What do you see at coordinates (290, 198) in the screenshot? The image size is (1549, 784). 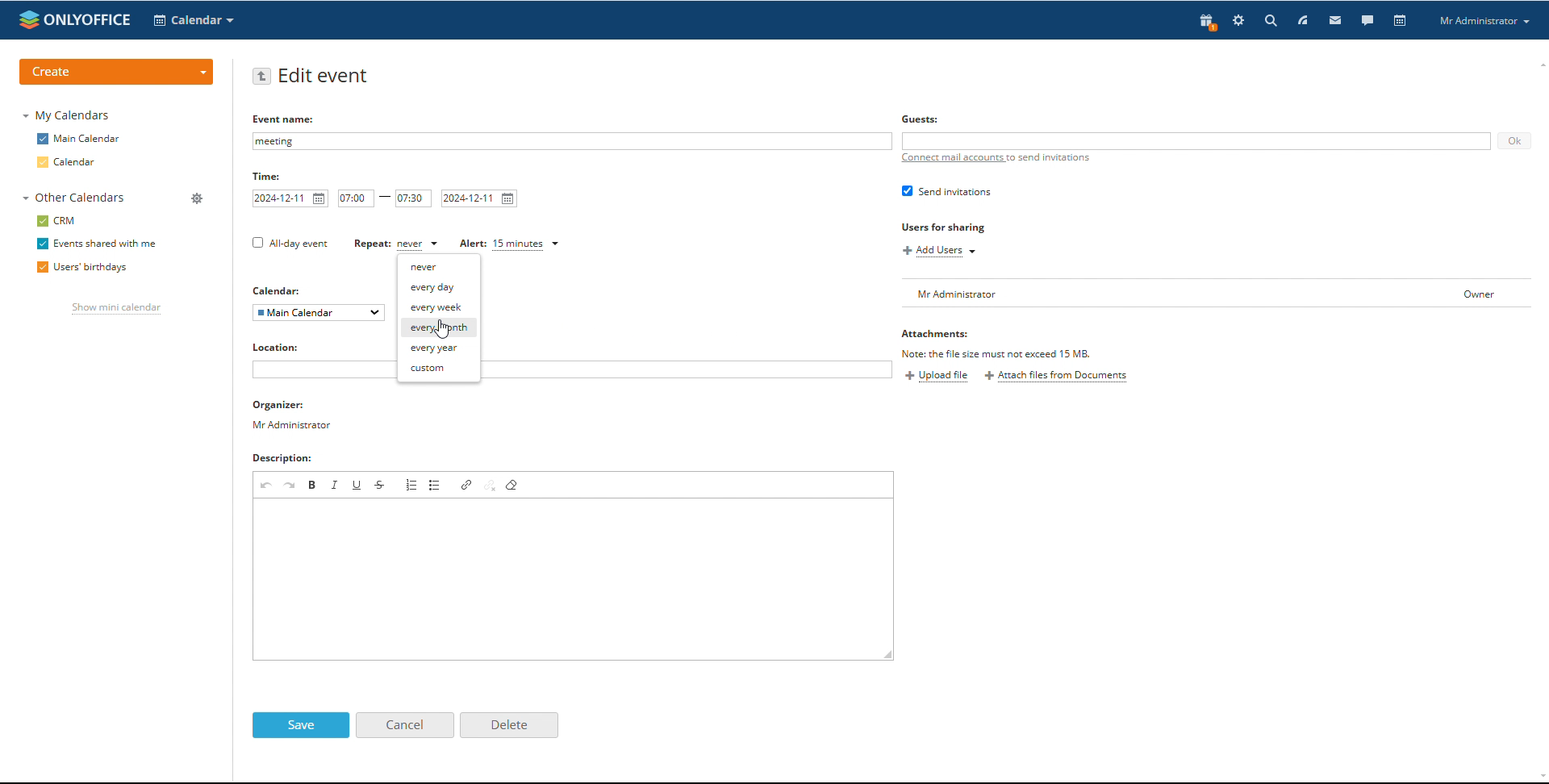 I see `start date` at bounding box center [290, 198].